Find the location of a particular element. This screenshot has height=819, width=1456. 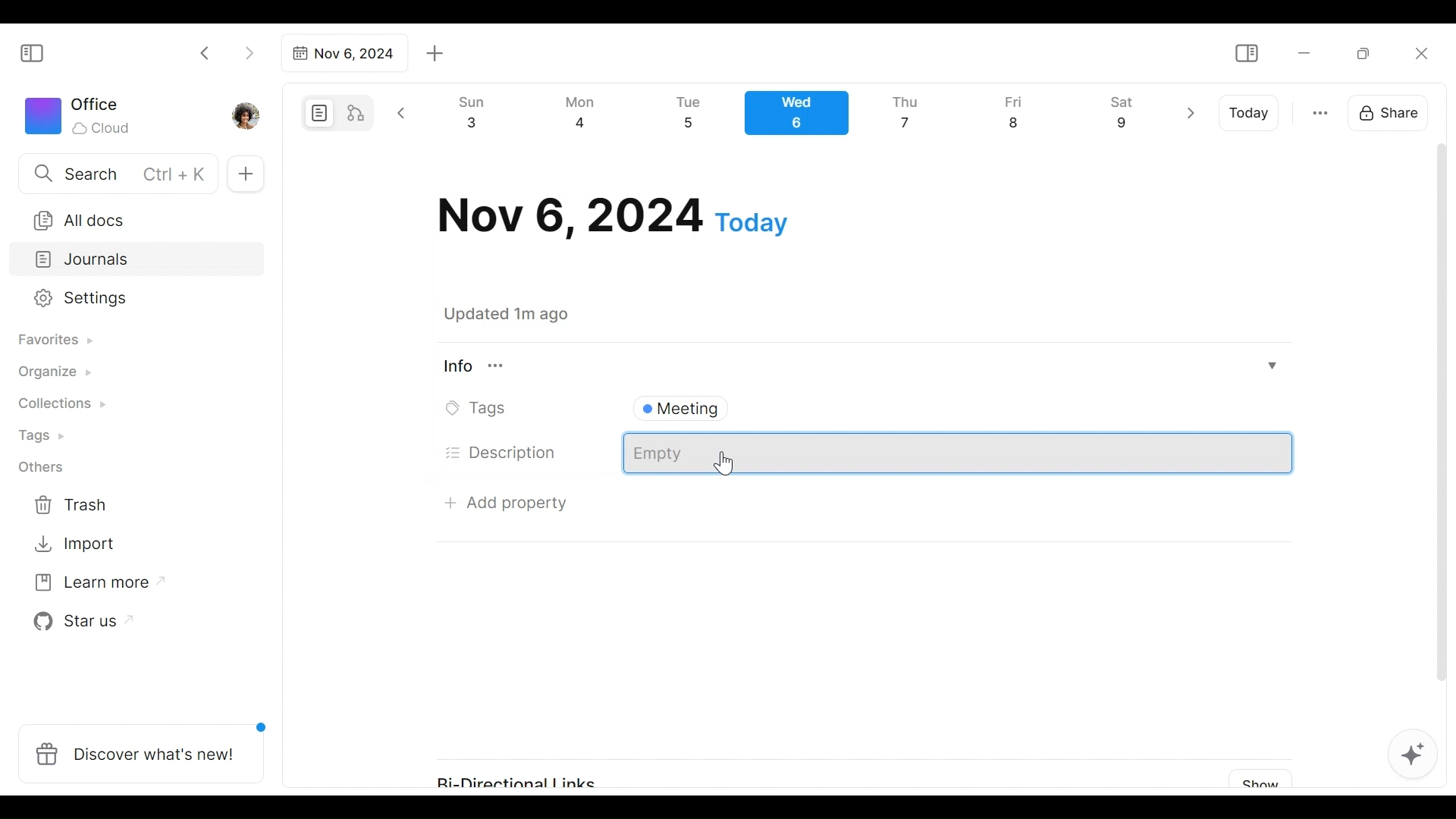

Add new  is located at coordinates (244, 174).